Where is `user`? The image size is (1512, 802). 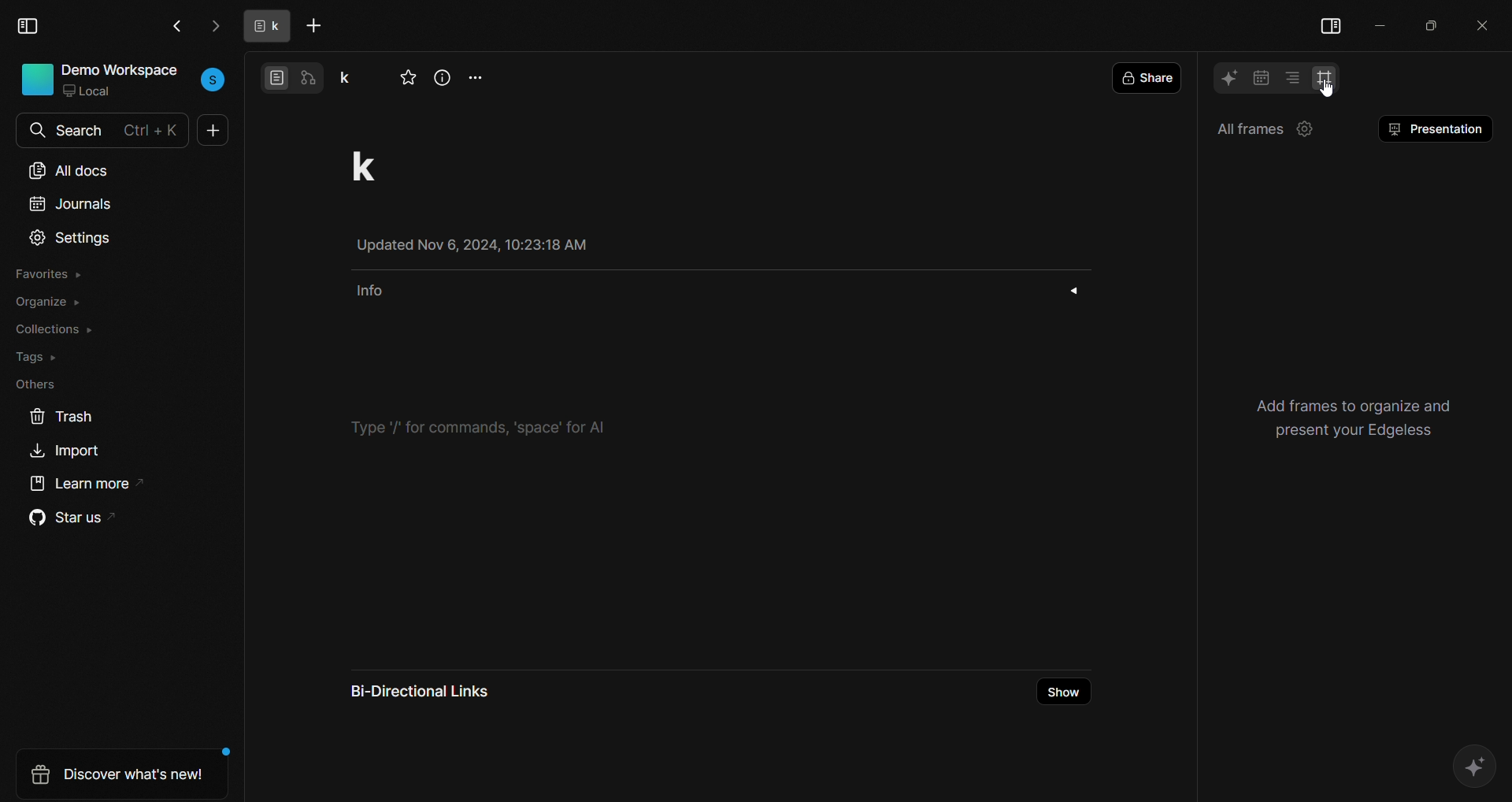
user is located at coordinates (214, 79).